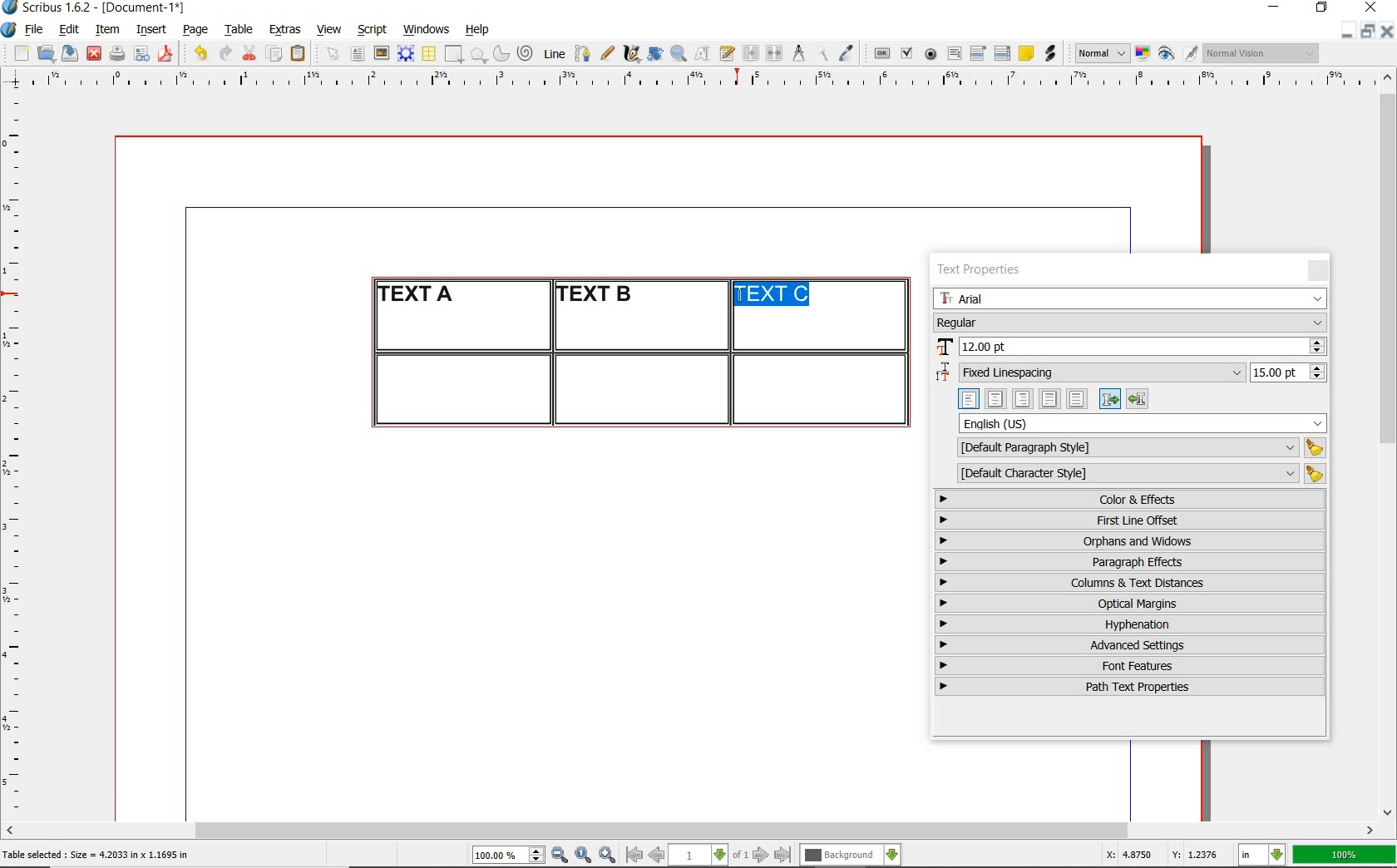 The image size is (1397, 868). Describe the element at coordinates (406, 54) in the screenshot. I see `render frame` at that location.